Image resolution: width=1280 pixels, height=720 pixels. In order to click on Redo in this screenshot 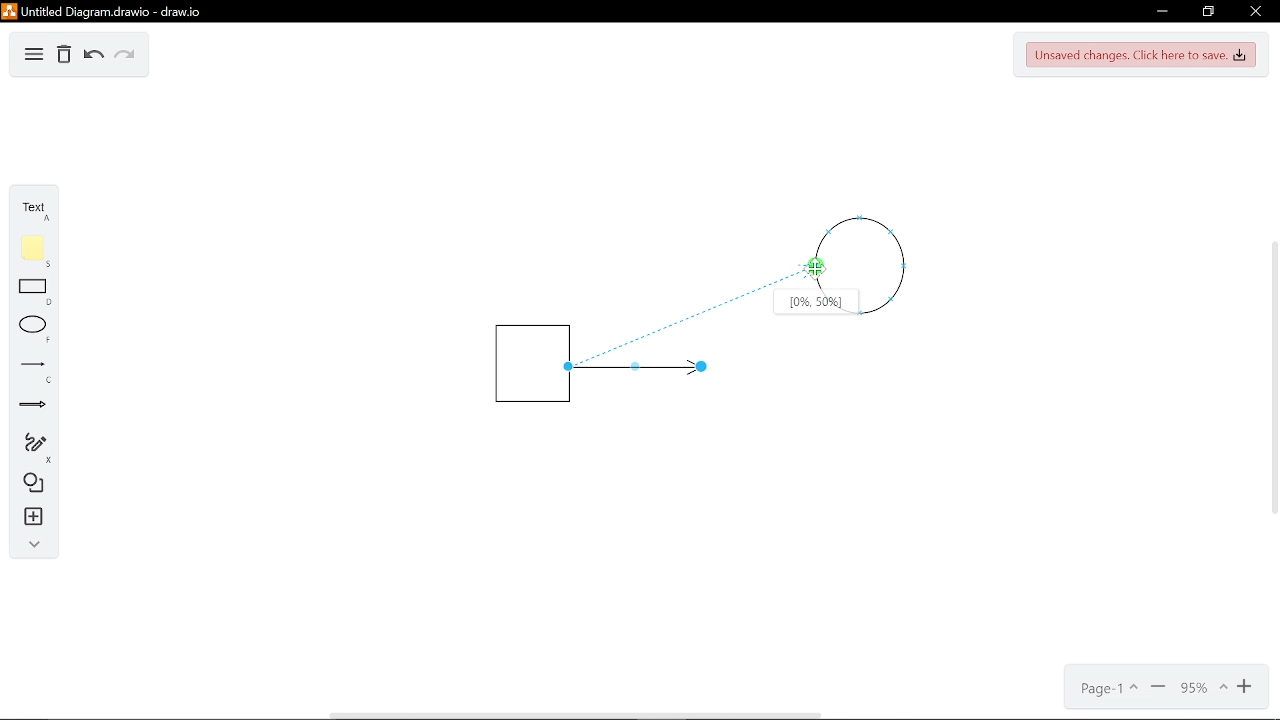, I will do `click(125, 56)`.